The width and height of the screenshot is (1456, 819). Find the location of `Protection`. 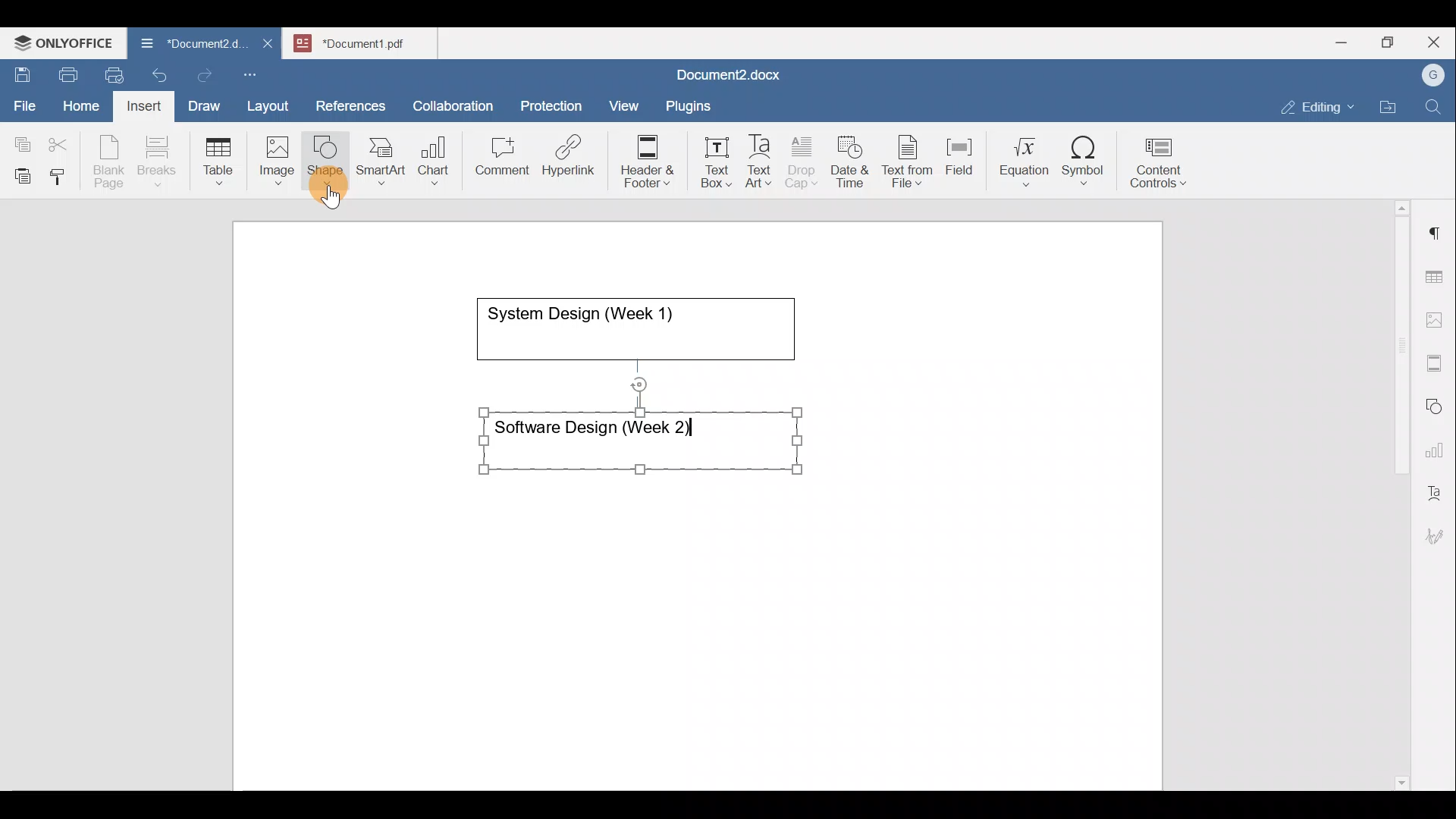

Protection is located at coordinates (556, 104).